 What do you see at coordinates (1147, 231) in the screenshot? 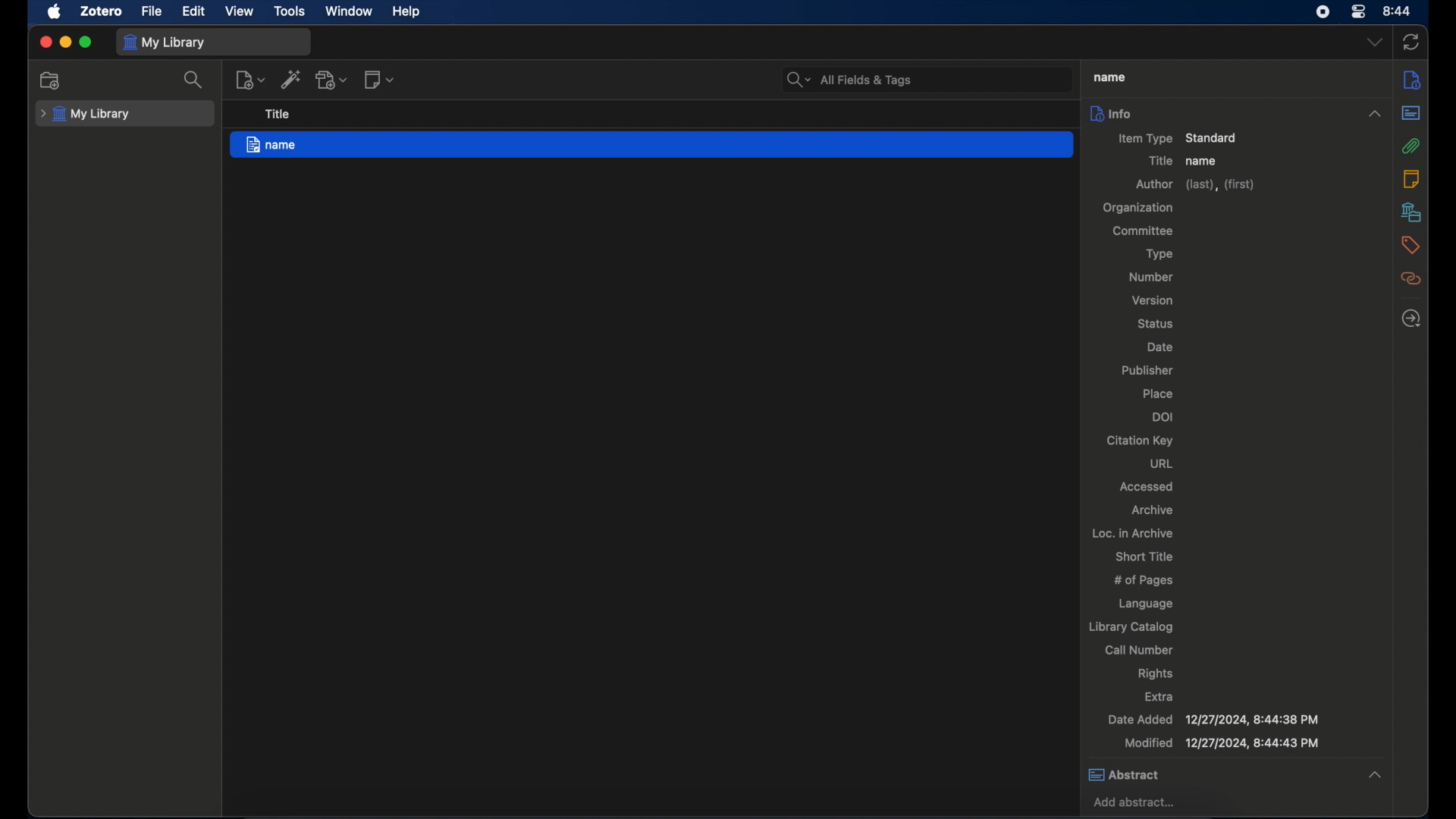
I see `committee` at bounding box center [1147, 231].